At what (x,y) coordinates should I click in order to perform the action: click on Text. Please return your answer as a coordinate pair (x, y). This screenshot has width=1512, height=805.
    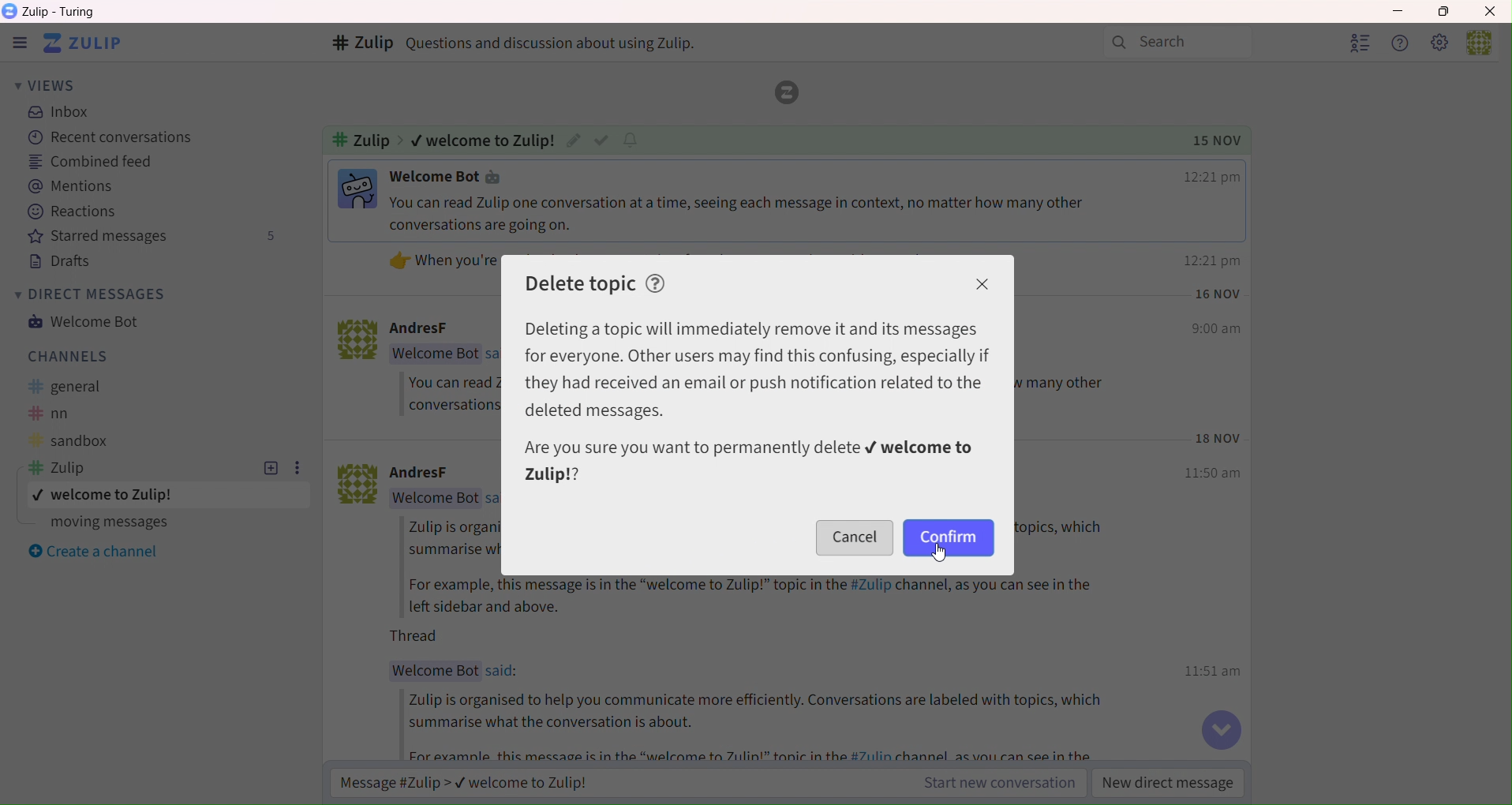
    Looking at the image, I should click on (452, 537).